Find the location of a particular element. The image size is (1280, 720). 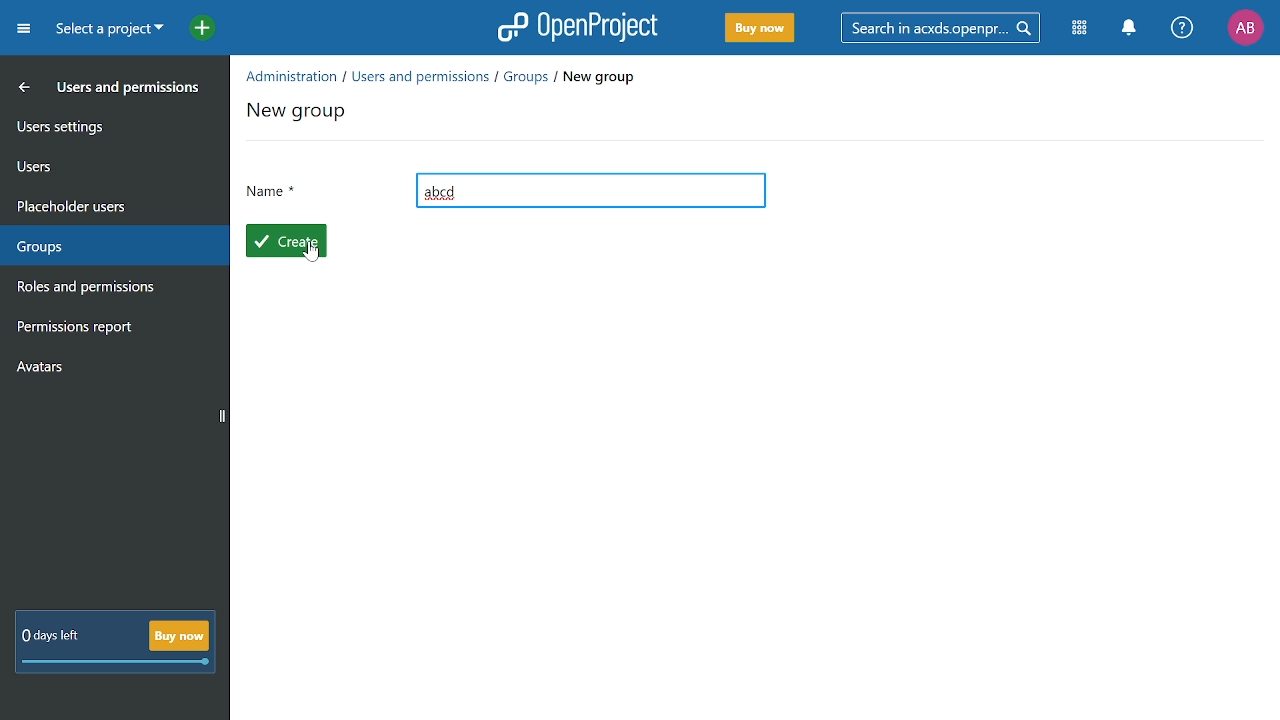

Users and permission is located at coordinates (99, 89).